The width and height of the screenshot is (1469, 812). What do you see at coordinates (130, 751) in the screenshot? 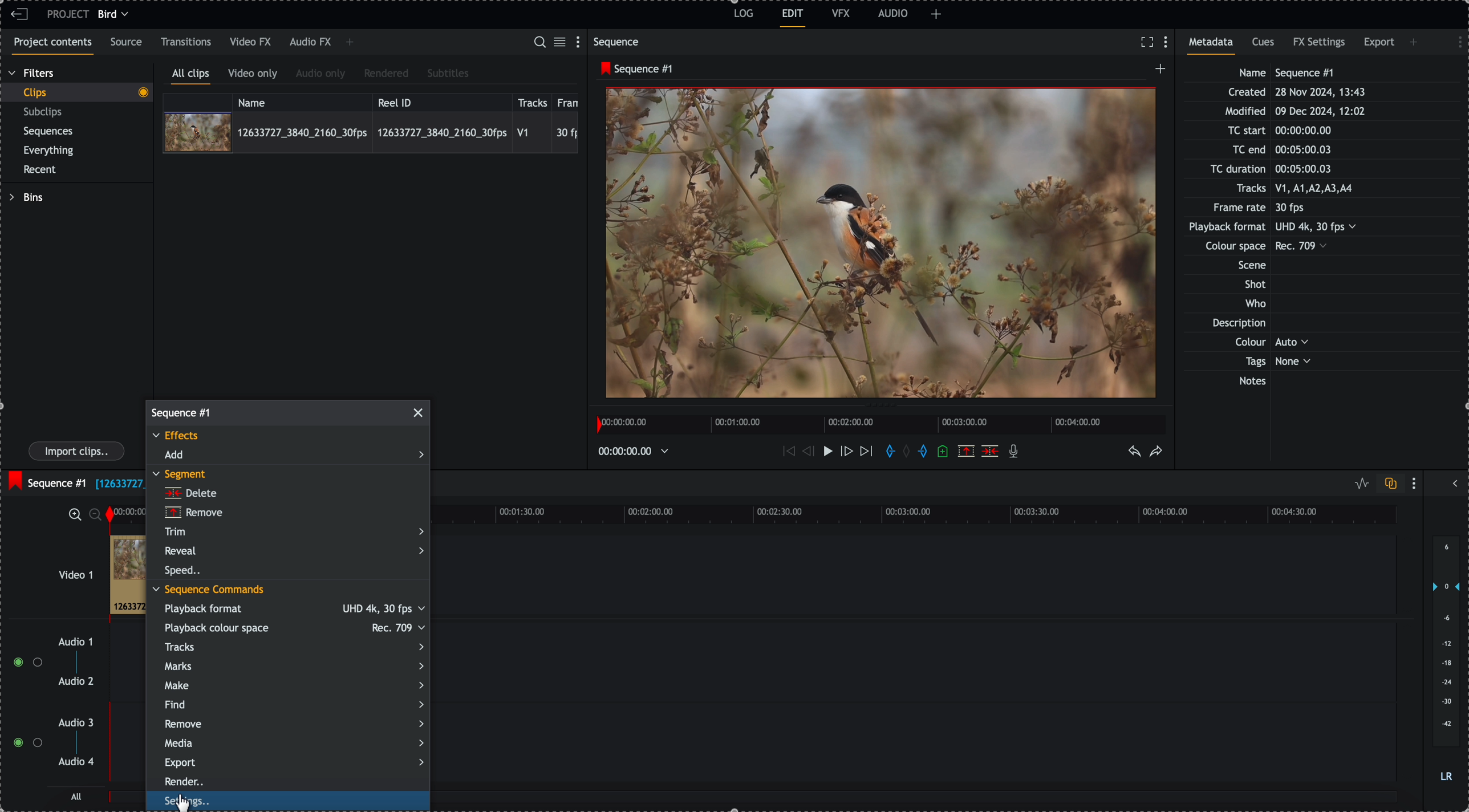
I see `track audio` at bounding box center [130, 751].